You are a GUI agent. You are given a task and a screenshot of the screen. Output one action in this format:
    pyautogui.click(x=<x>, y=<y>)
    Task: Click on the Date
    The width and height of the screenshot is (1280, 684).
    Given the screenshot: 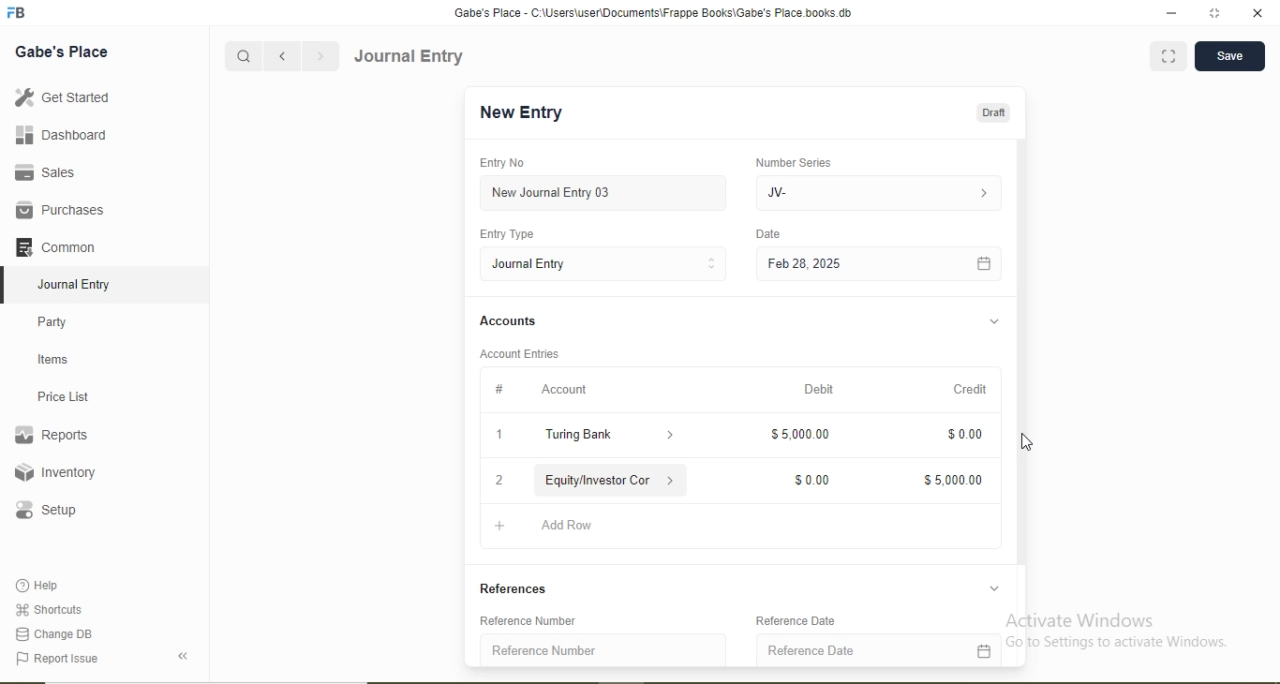 What is the action you would take?
    pyautogui.click(x=767, y=233)
    